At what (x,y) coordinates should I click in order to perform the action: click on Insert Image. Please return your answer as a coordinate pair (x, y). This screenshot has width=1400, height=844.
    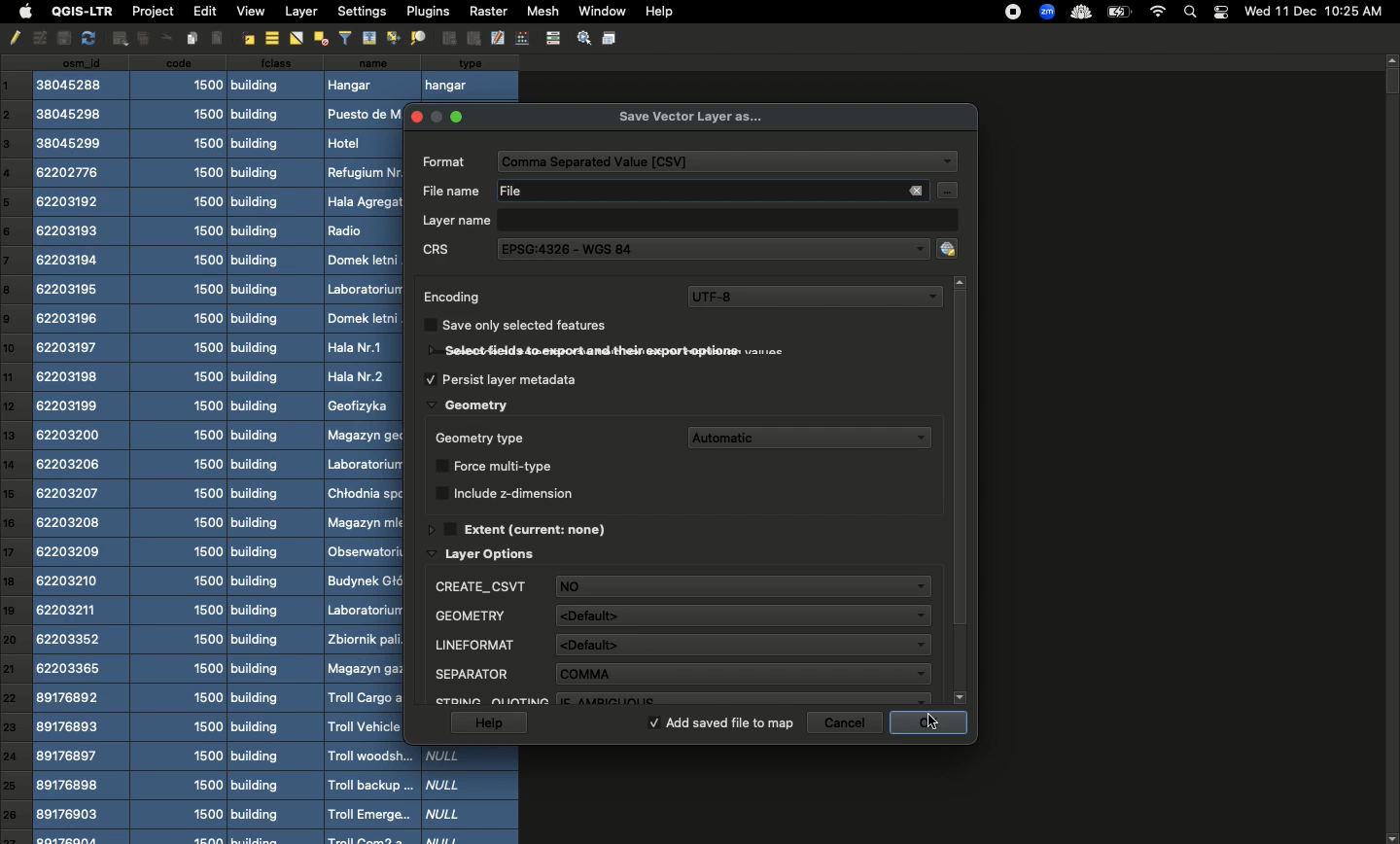
    Looking at the image, I should click on (192, 38).